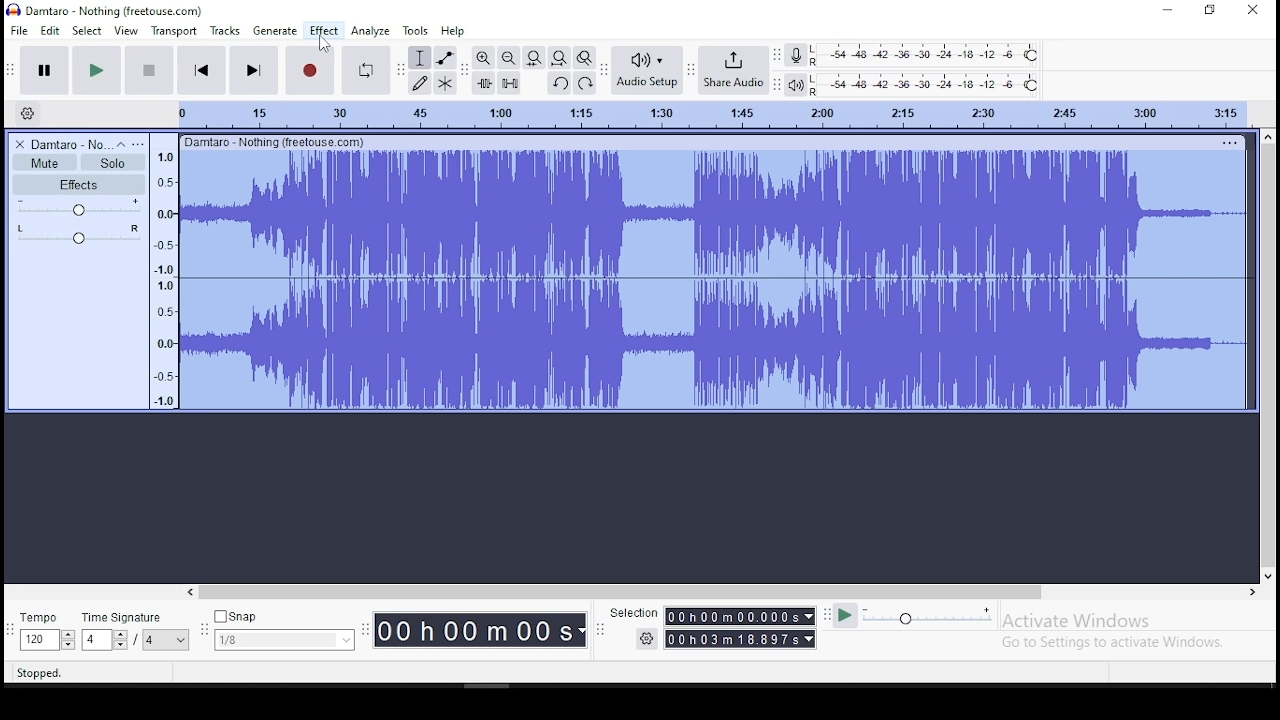  Describe the element at coordinates (1255, 11) in the screenshot. I see `close window` at that location.